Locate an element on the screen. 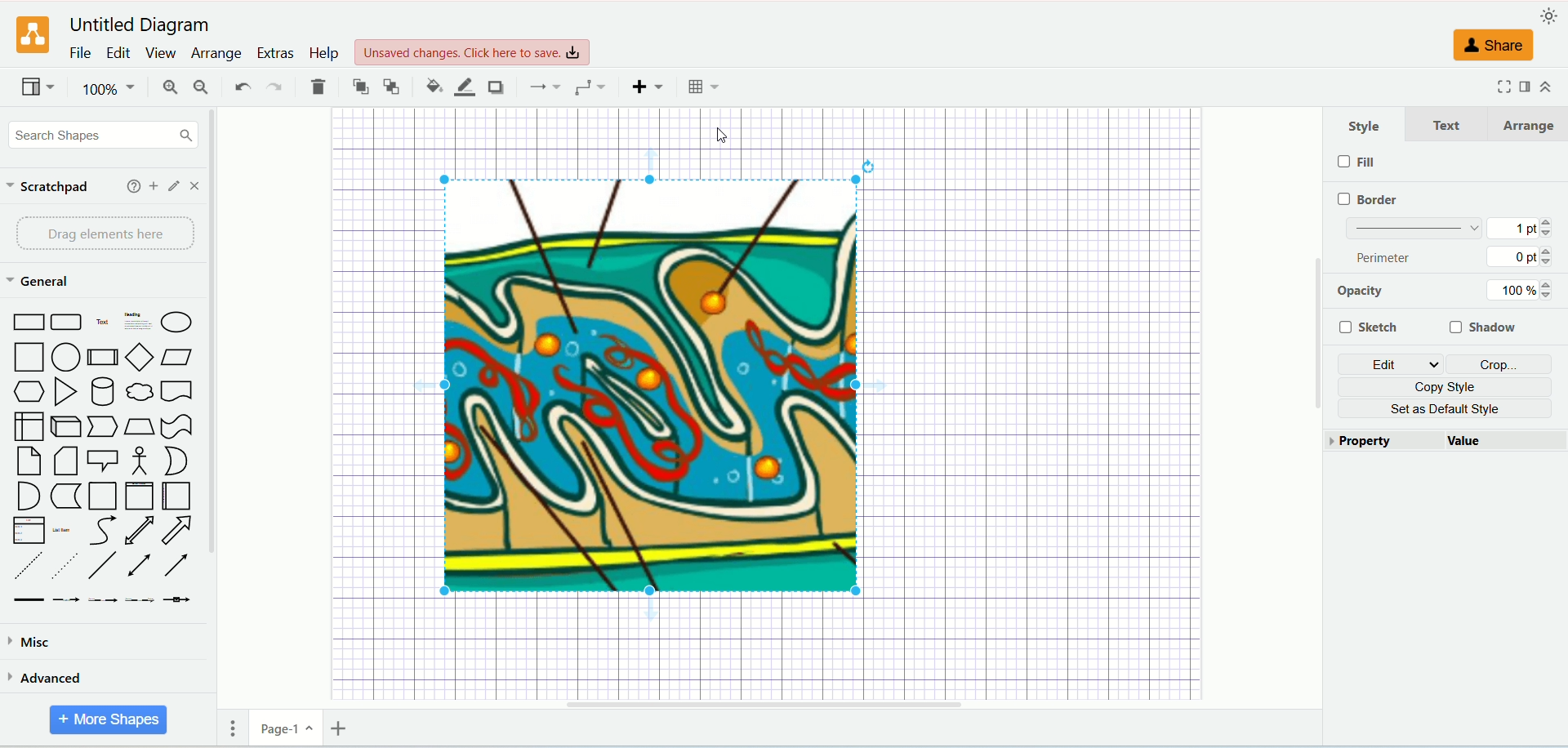 The image size is (1568, 748). edit is located at coordinates (1392, 365).